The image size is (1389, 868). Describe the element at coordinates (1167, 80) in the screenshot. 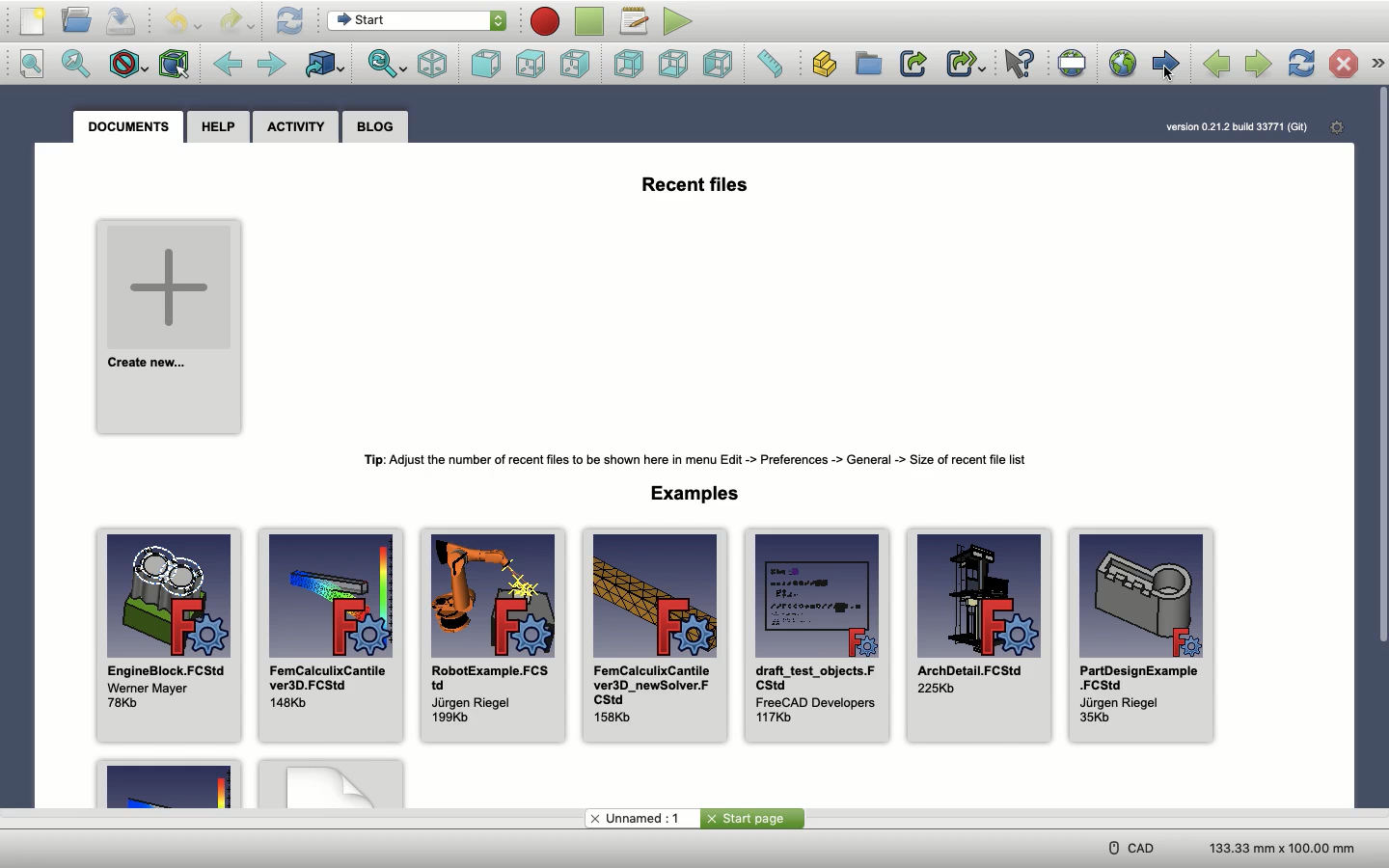

I see `cursor` at that location.